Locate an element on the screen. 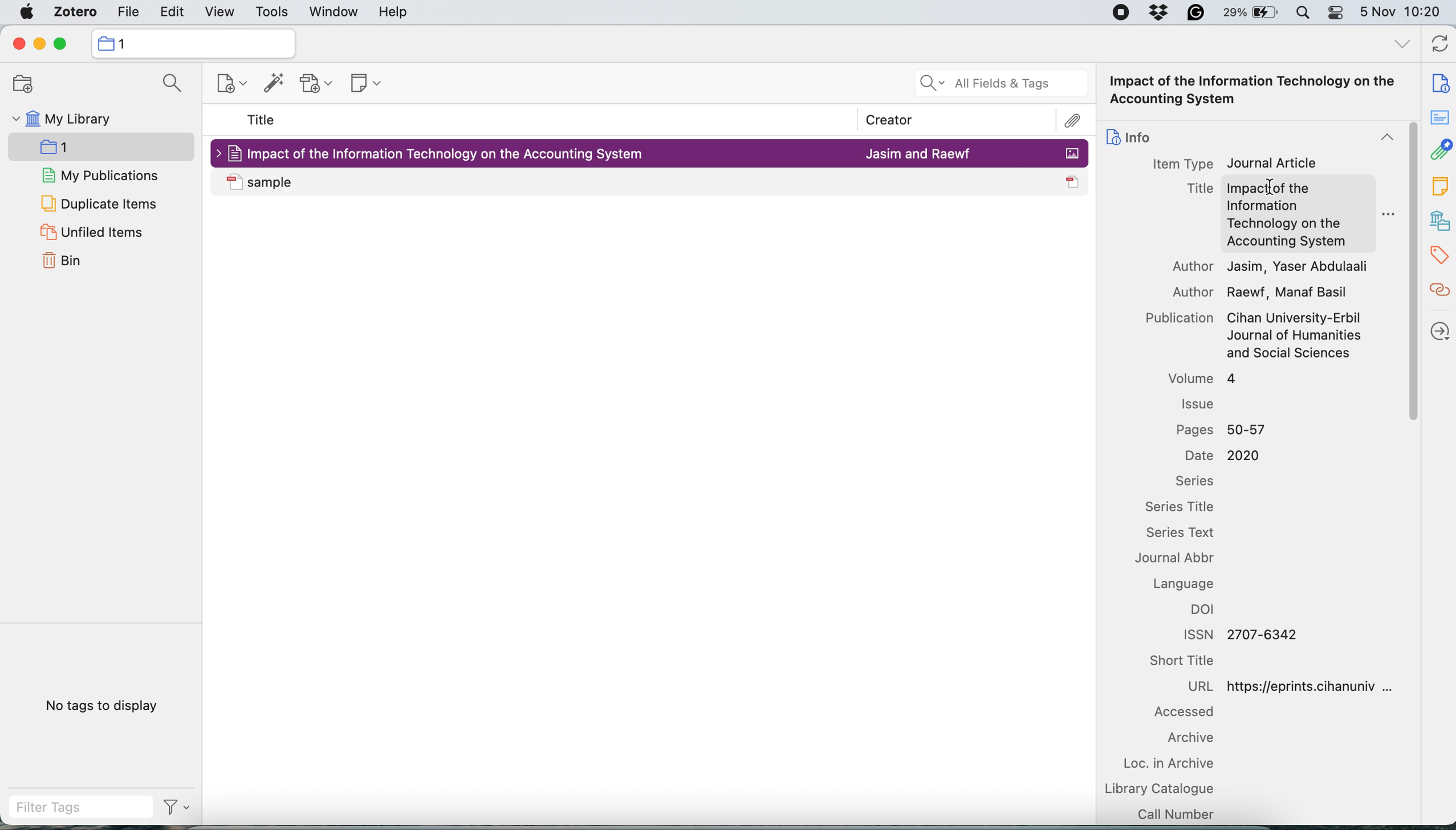  collection is located at coordinates (125, 44).